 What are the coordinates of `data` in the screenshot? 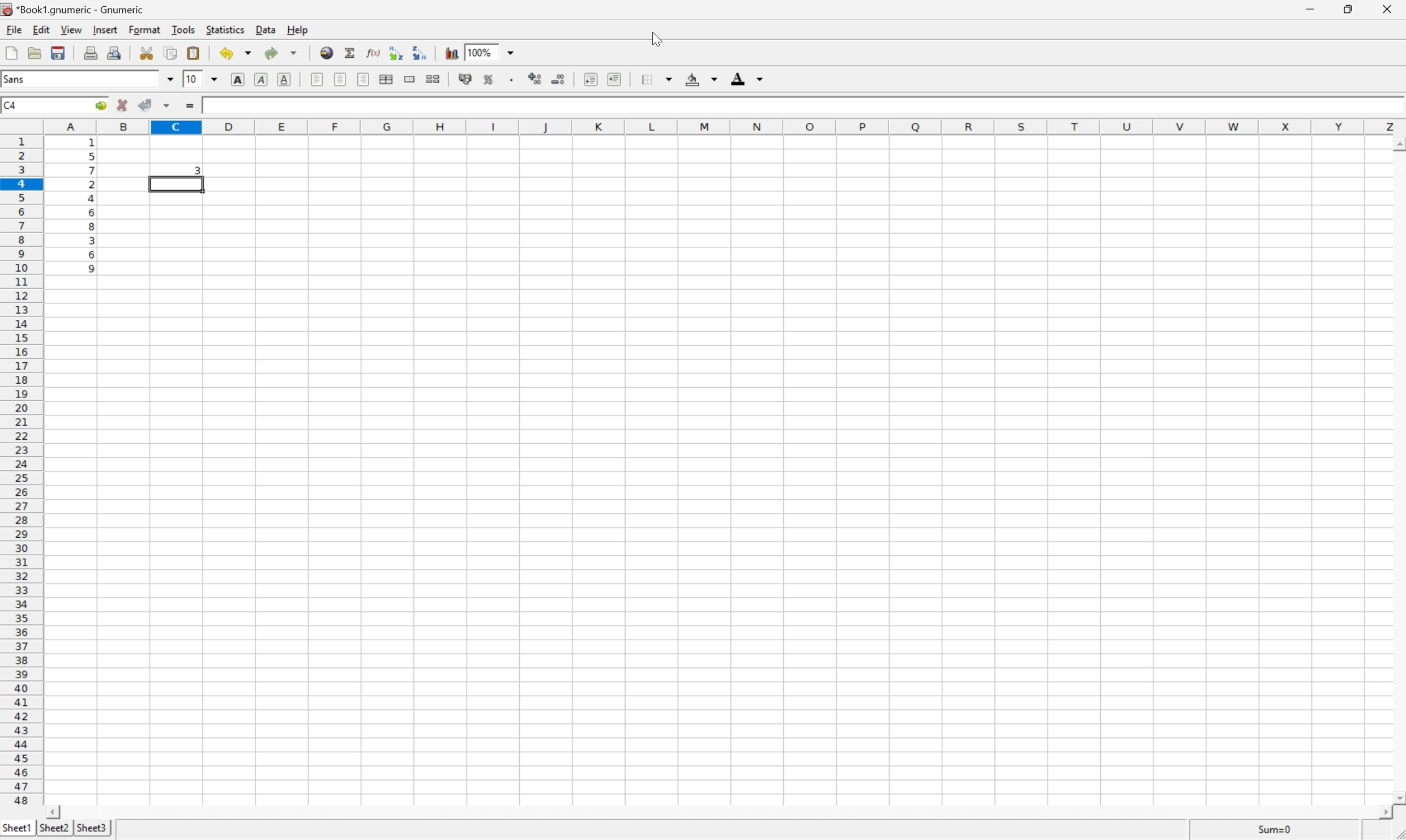 It's located at (266, 29).